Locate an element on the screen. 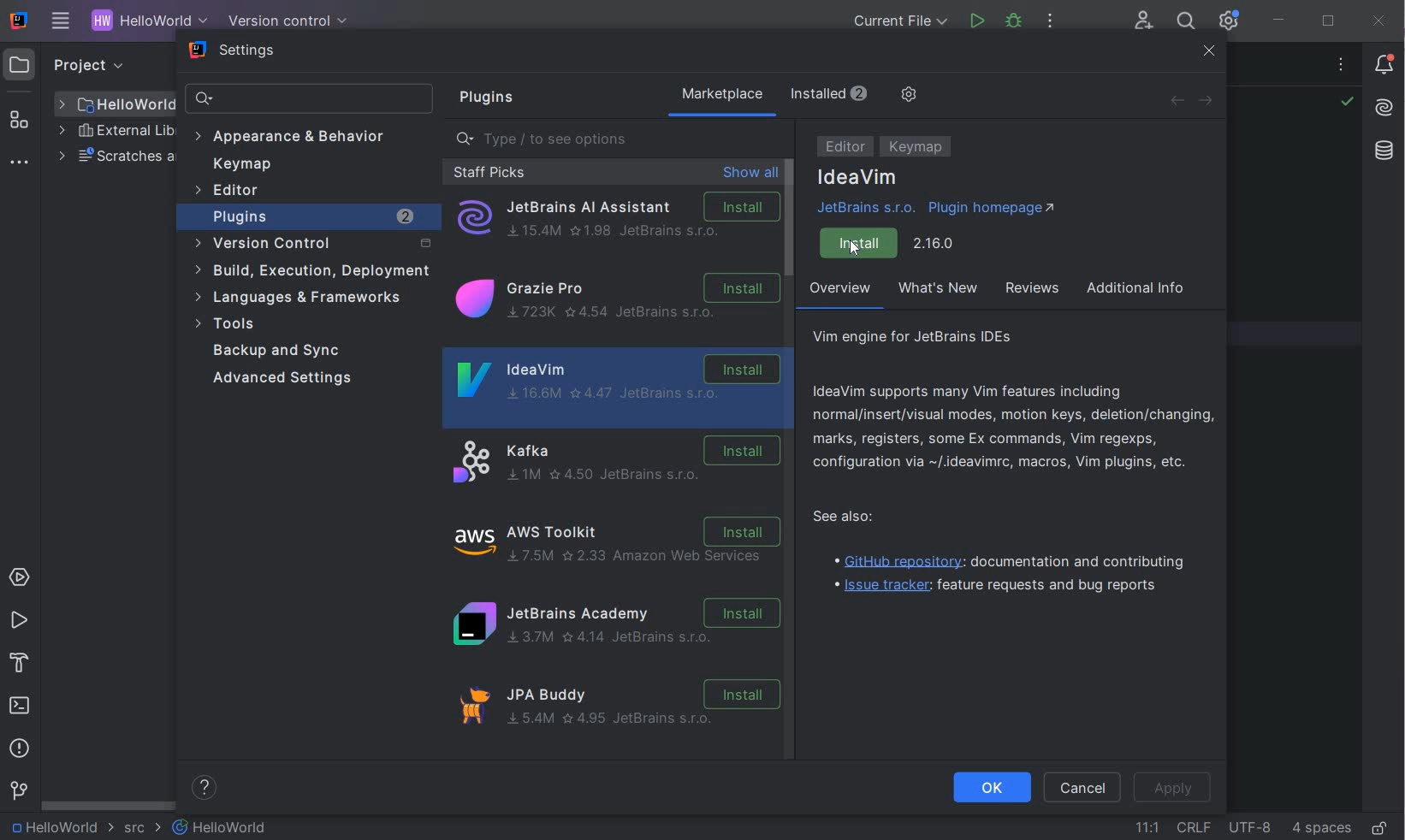 This screenshot has width=1405, height=840. DEBUG is located at coordinates (1017, 24).